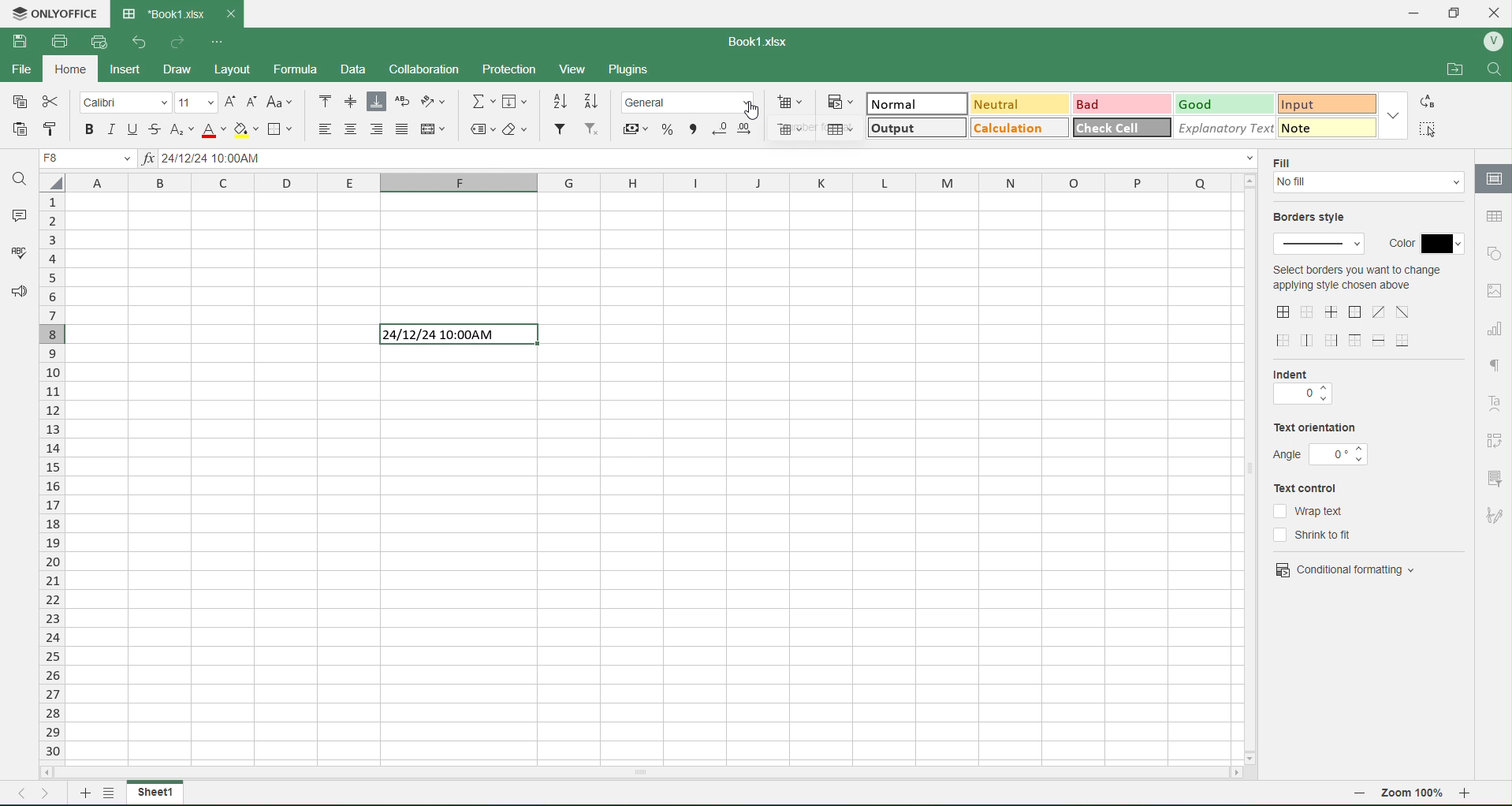 The height and width of the screenshot is (806, 1512). I want to click on Options, so click(106, 795).